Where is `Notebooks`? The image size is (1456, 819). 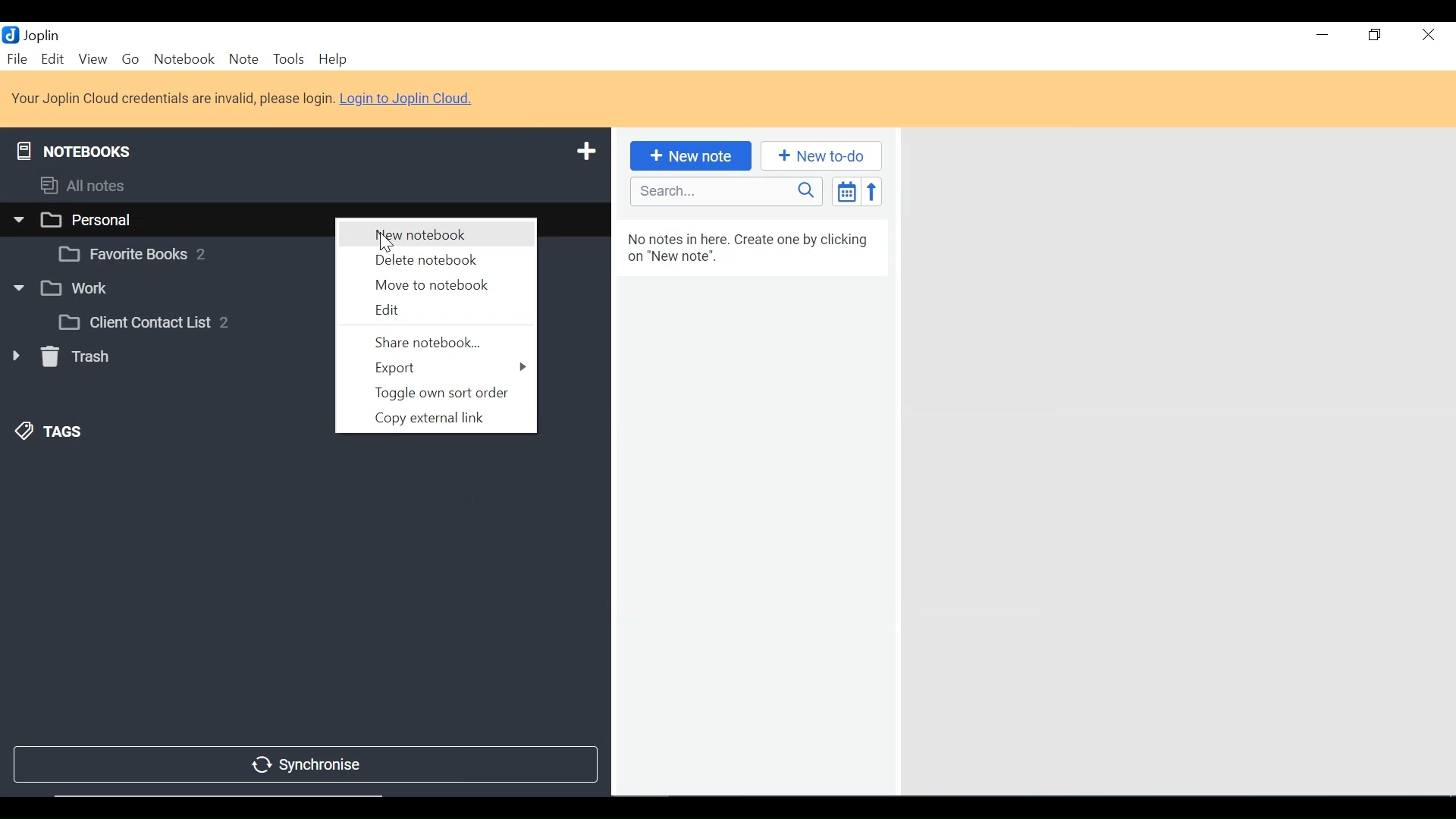 Notebooks is located at coordinates (74, 148).